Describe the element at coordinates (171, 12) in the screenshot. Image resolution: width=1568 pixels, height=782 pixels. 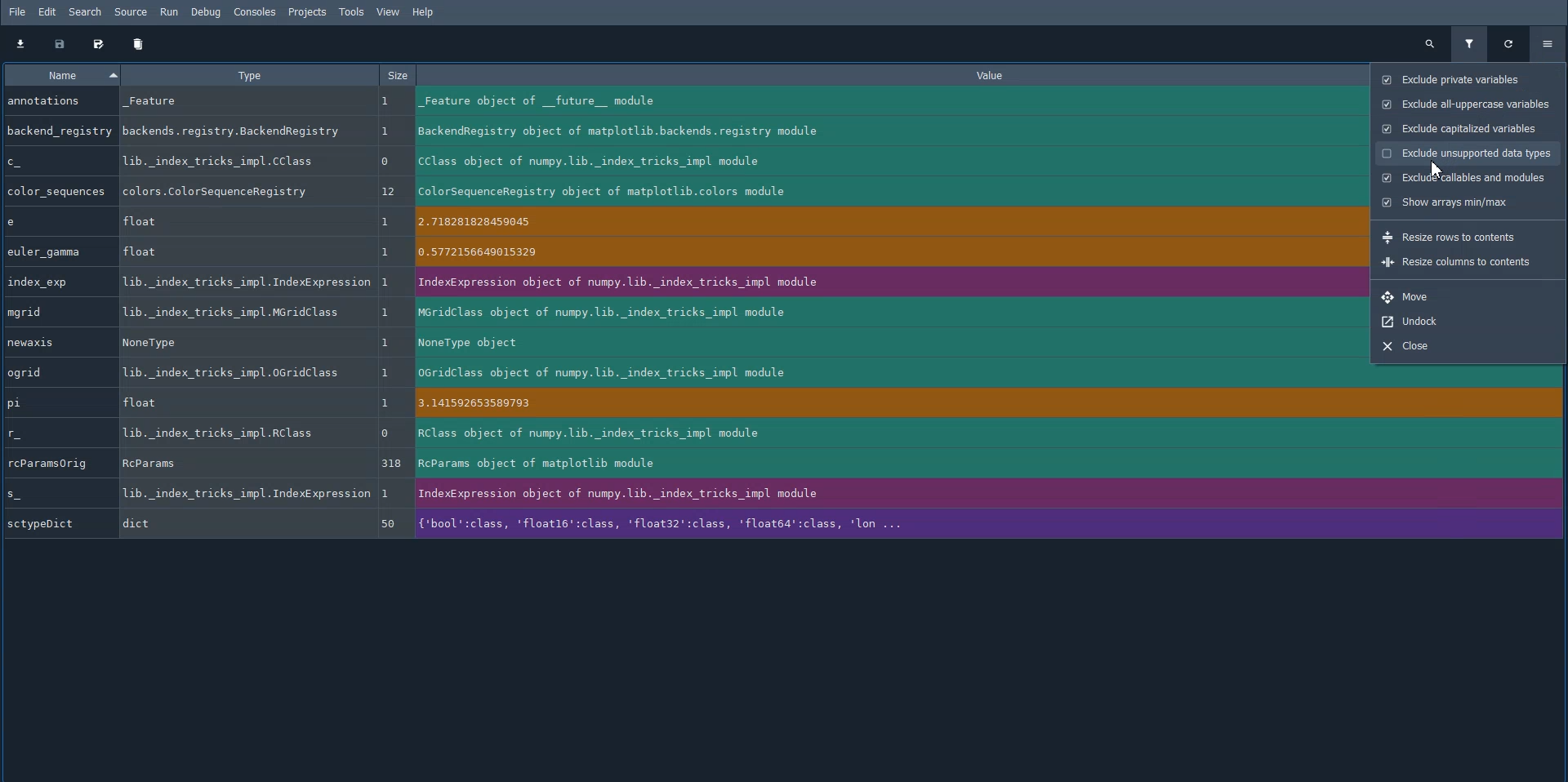
I see `Run` at that location.